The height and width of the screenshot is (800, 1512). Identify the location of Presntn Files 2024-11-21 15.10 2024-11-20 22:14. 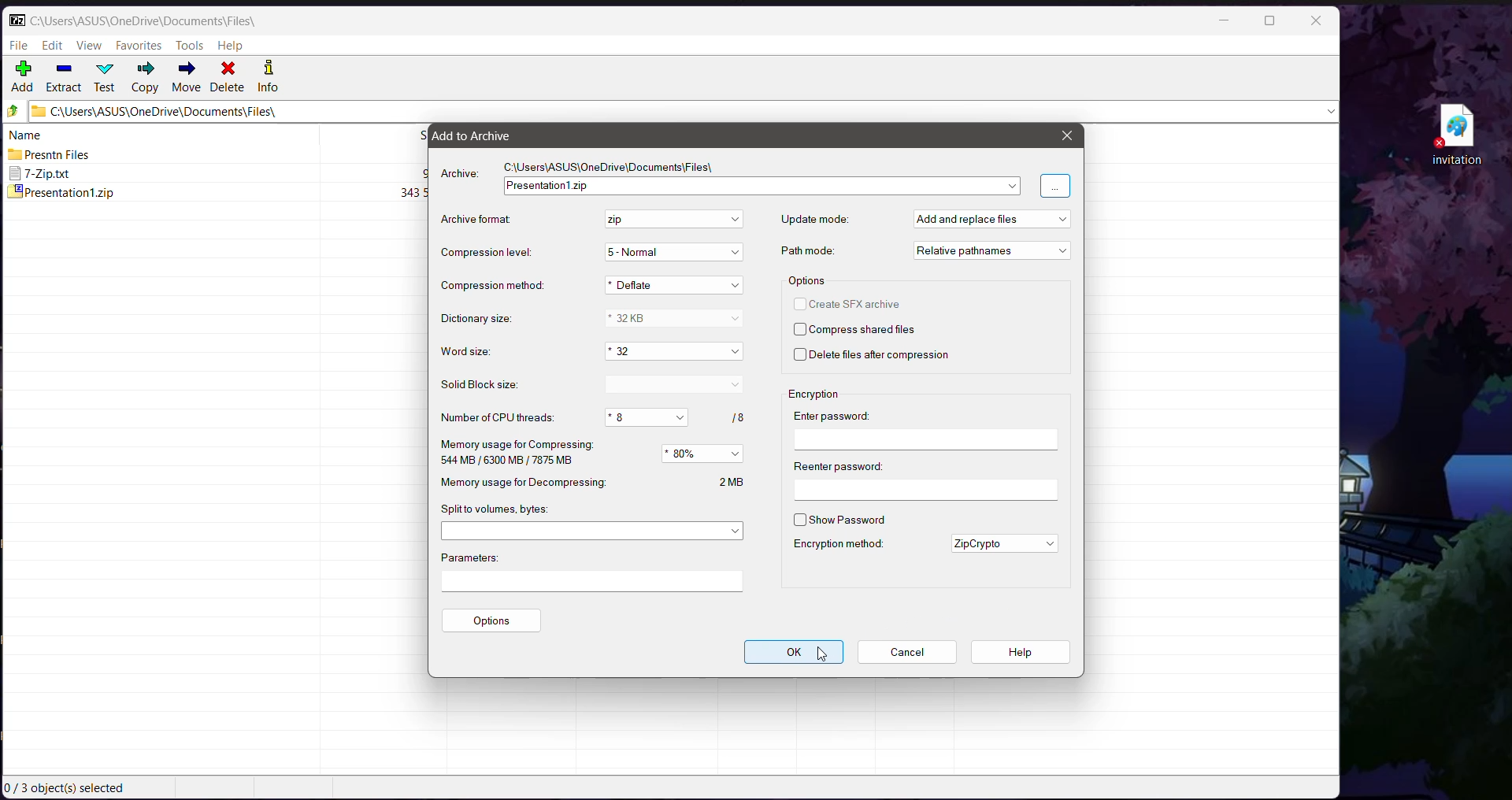
(217, 154).